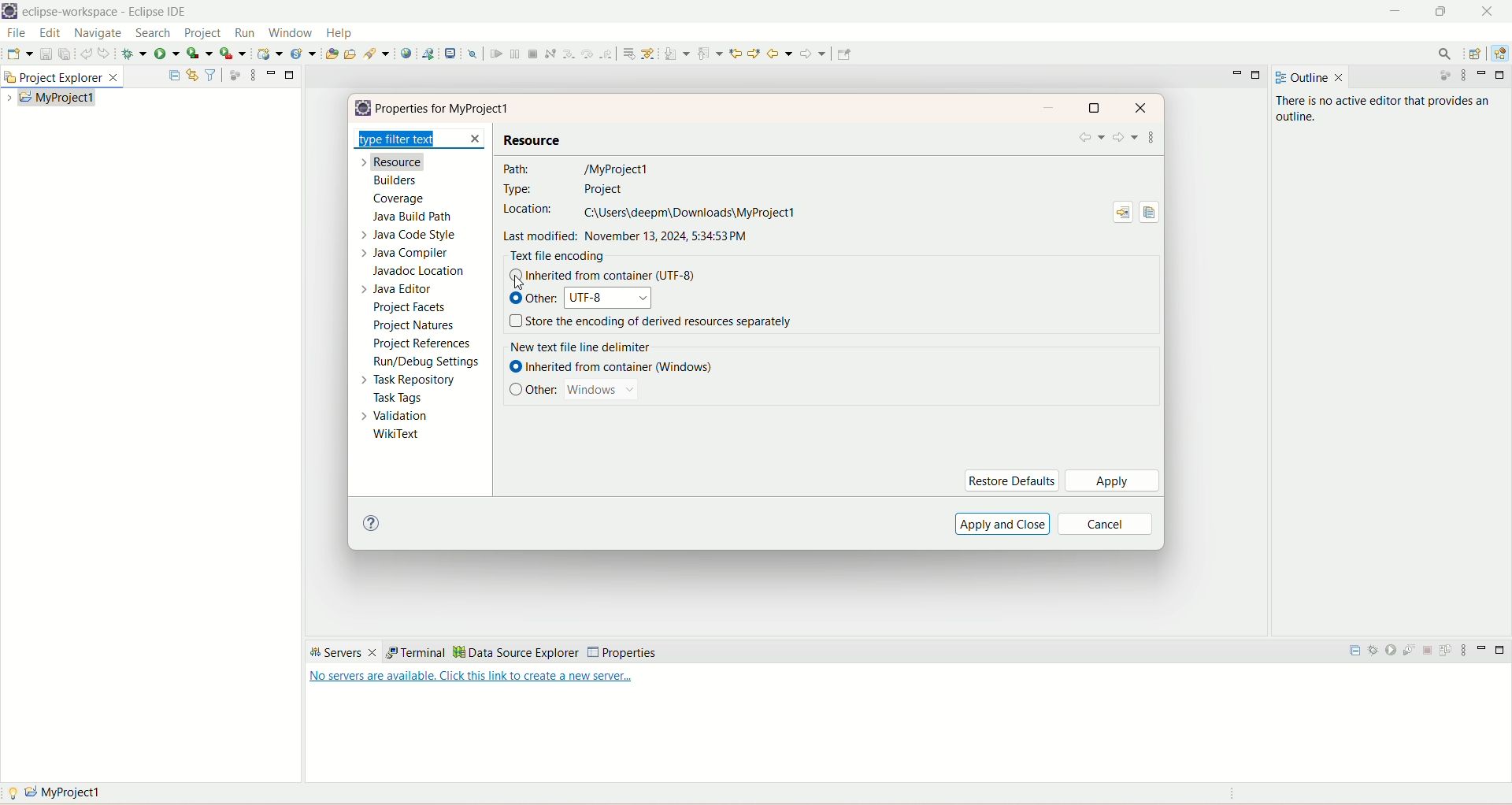 The width and height of the screenshot is (1512, 805). Describe the element at coordinates (1151, 139) in the screenshot. I see `view menu` at that location.